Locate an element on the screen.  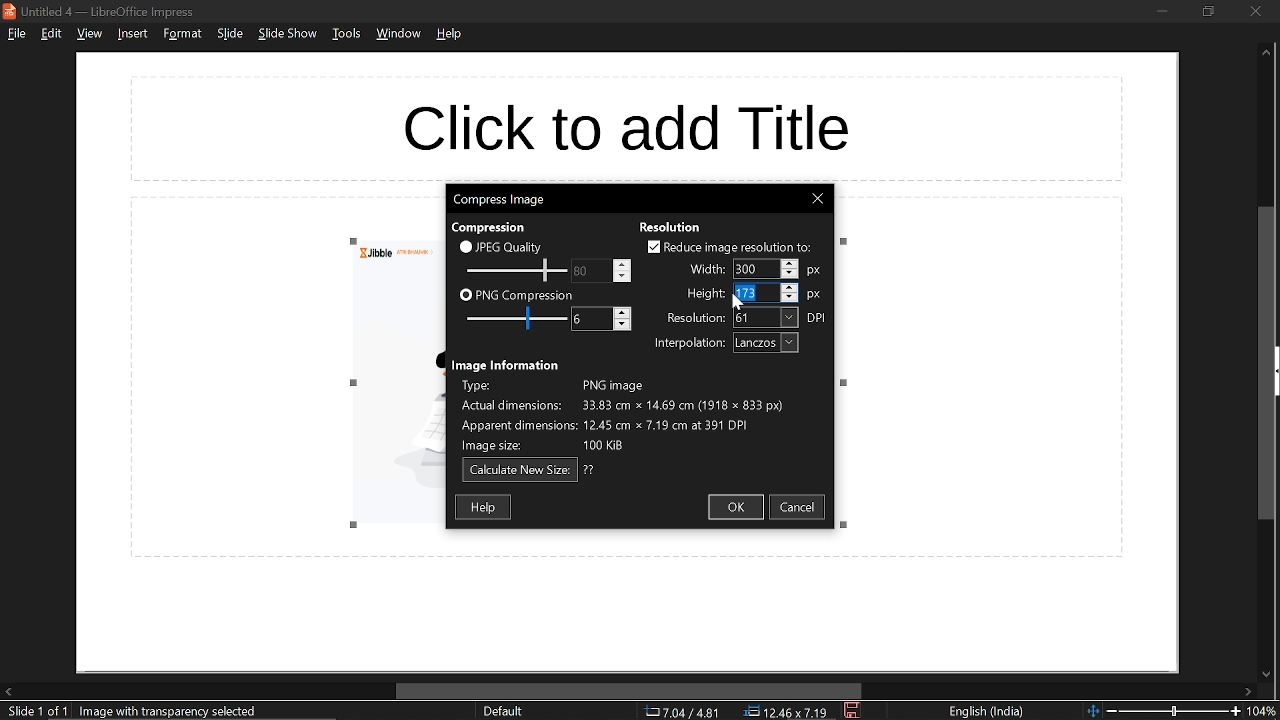
interpolation is located at coordinates (765, 343).